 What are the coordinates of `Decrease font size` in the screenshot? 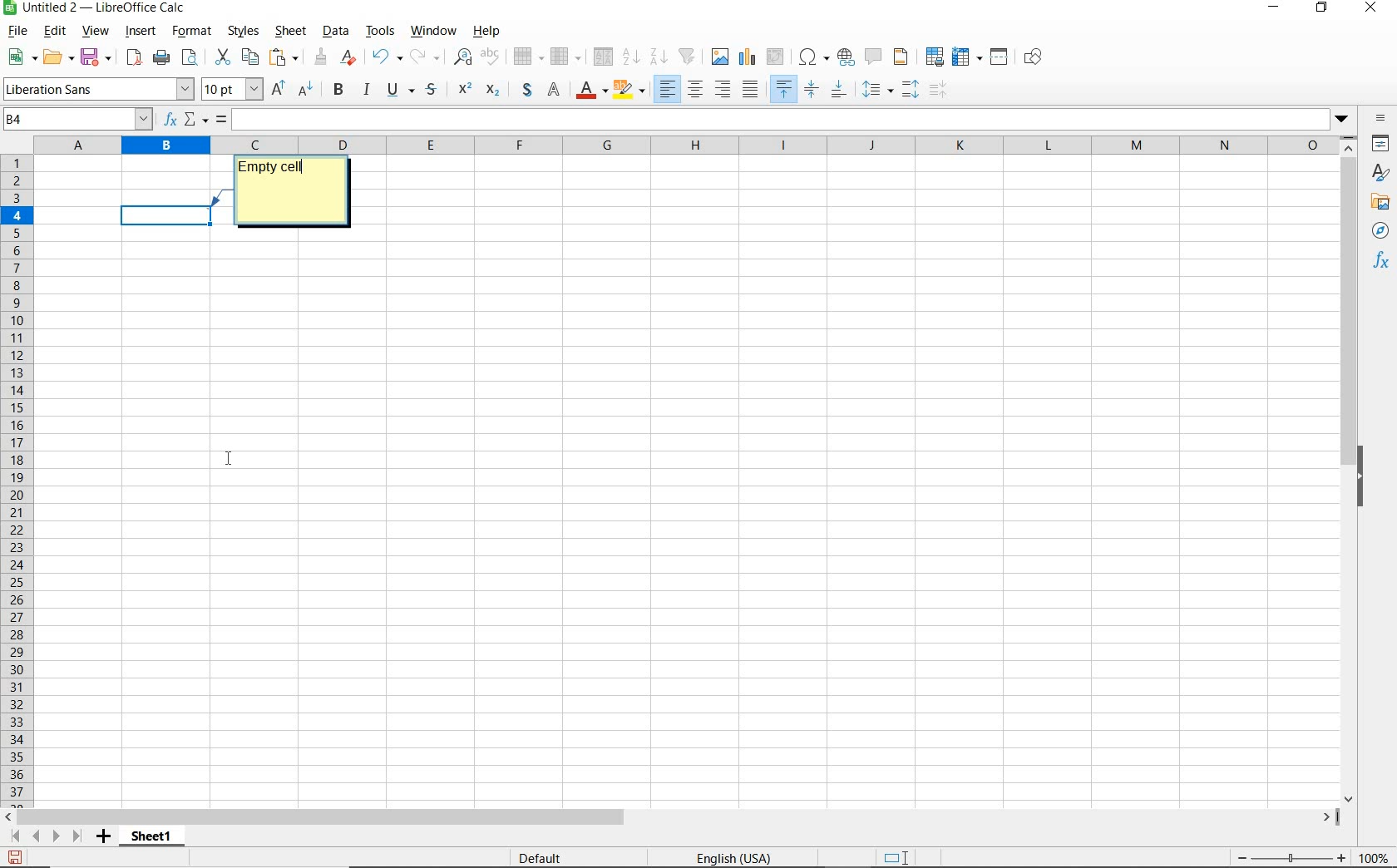 It's located at (306, 91).